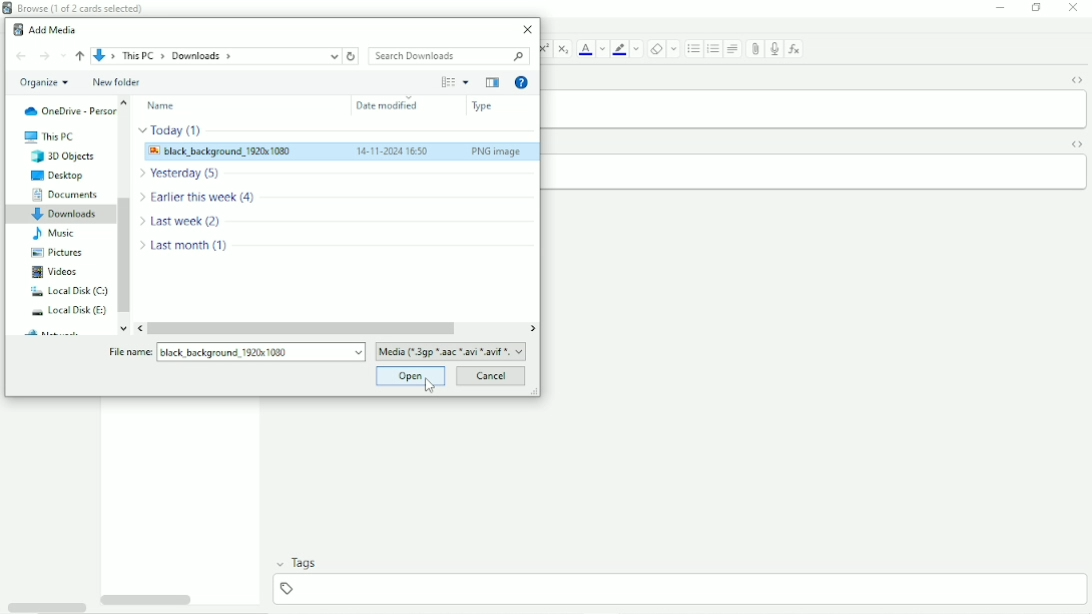 This screenshot has height=614, width=1092. I want to click on Subscript, so click(564, 50).